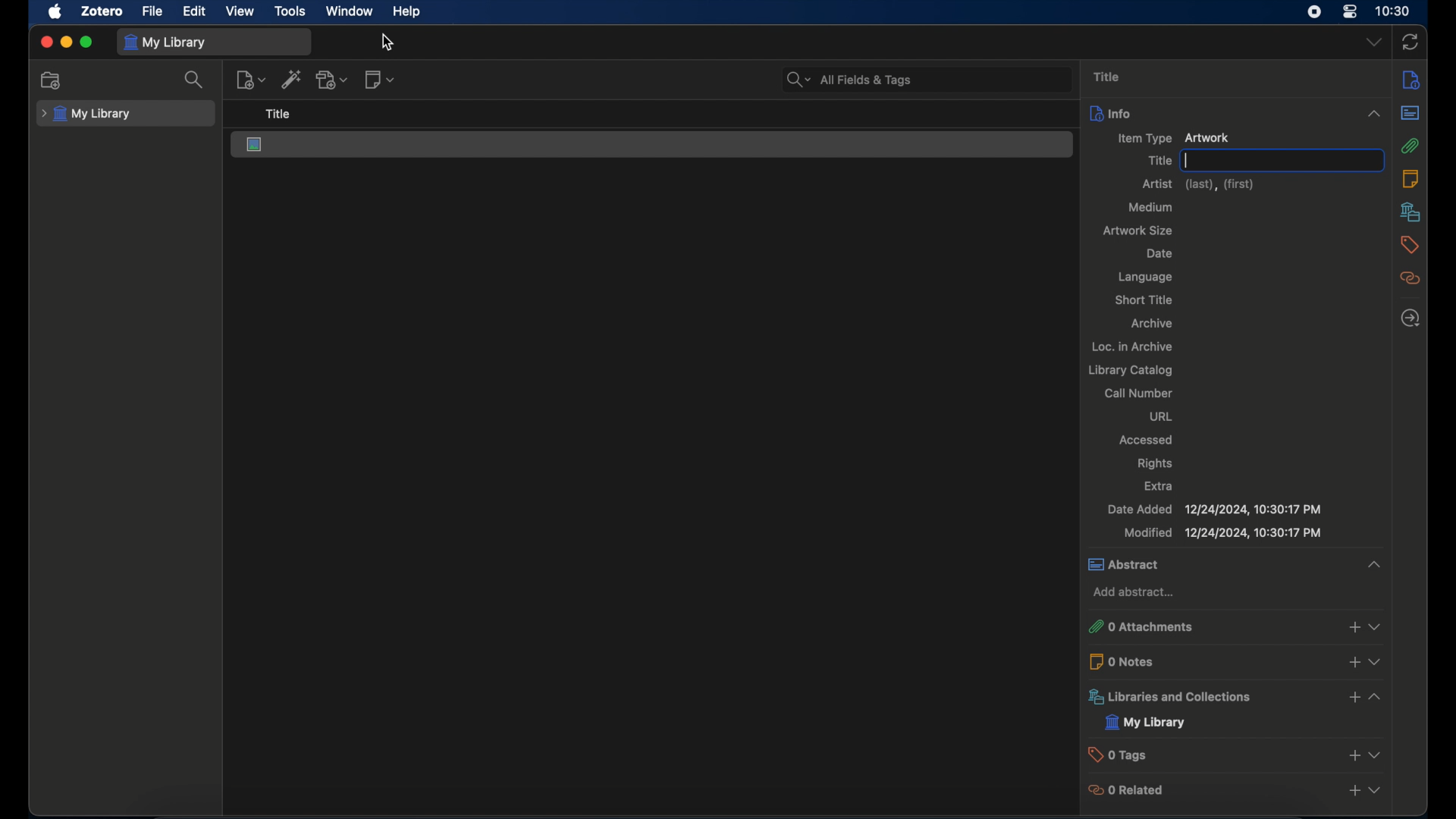  I want to click on expand section, so click(1383, 755).